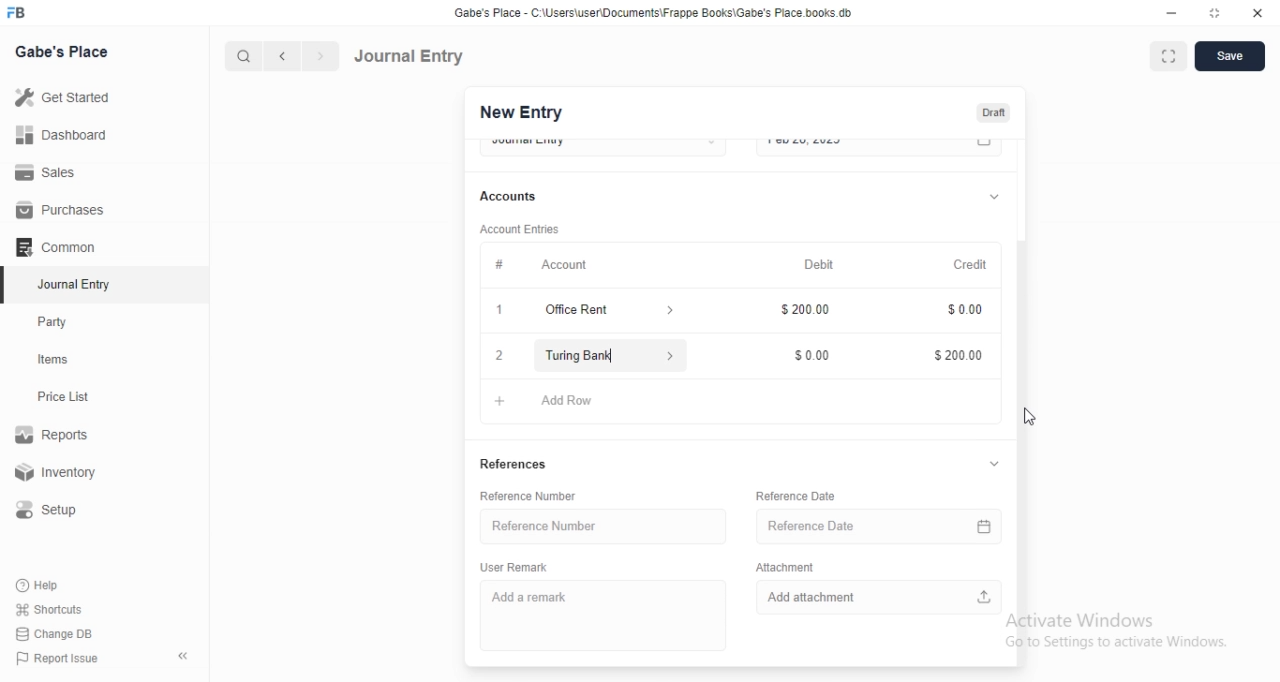 This screenshot has width=1280, height=682. Describe the element at coordinates (1218, 13) in the screenshot. I see `restore` at that location.